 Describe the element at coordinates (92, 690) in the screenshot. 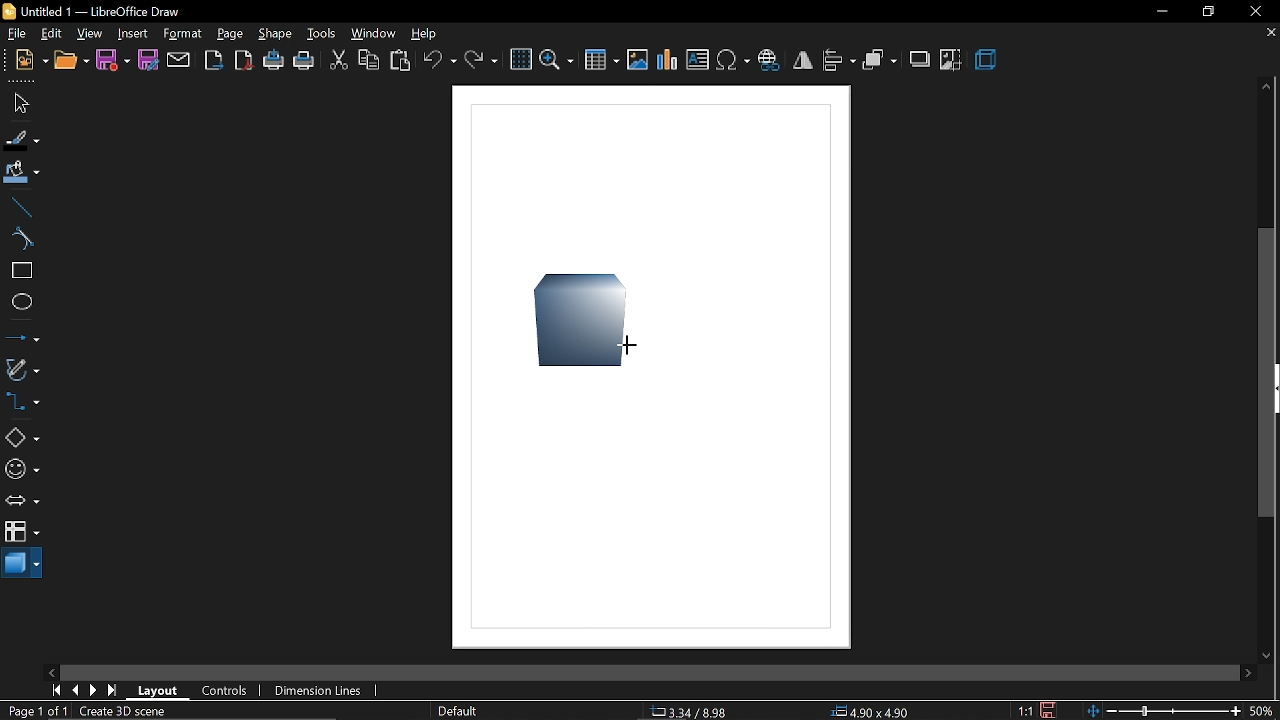

I see `next page` at that location.